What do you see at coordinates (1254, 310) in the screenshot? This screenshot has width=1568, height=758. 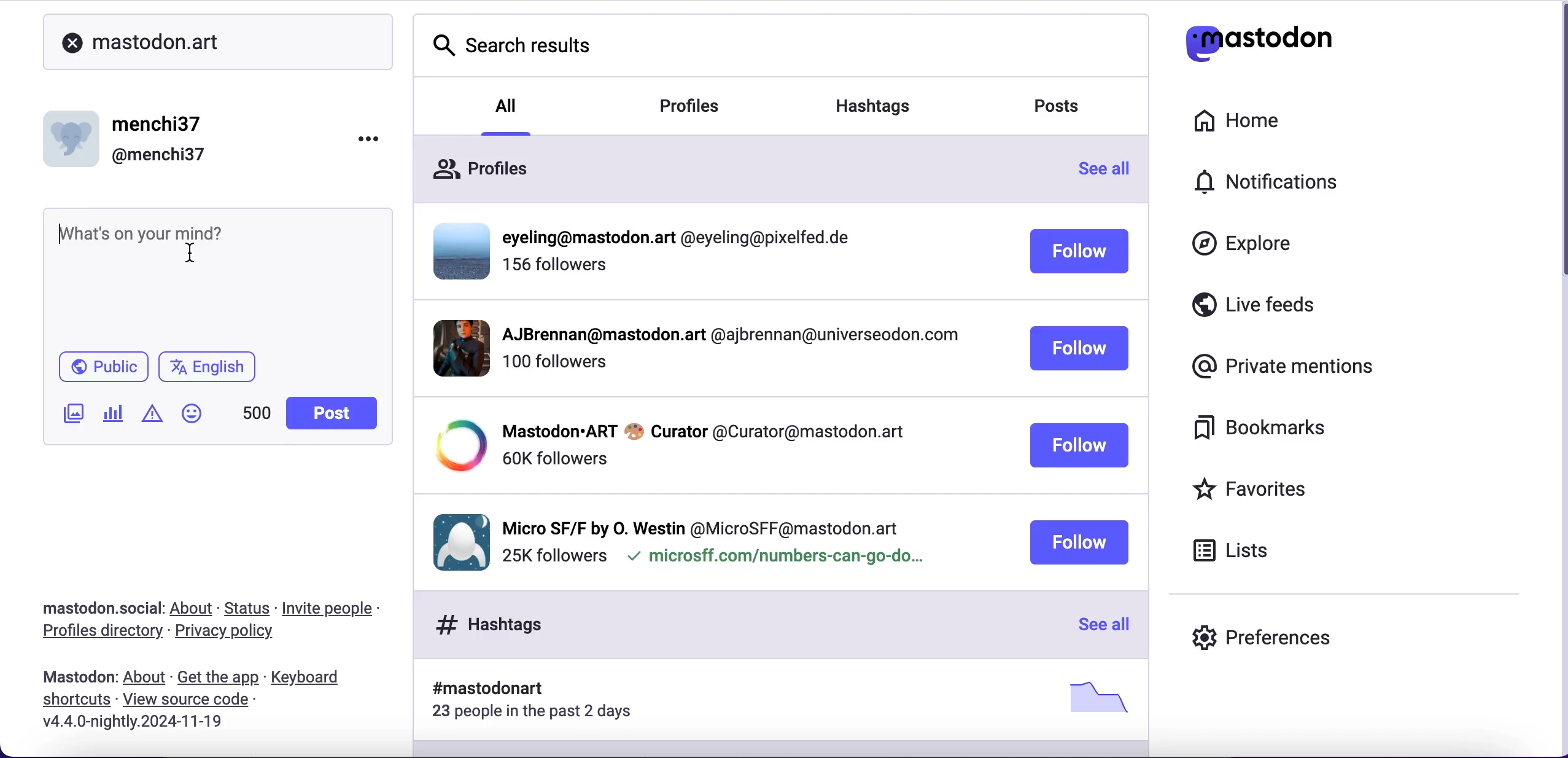 I see `live feeds` at bounding box center [1254, 310].